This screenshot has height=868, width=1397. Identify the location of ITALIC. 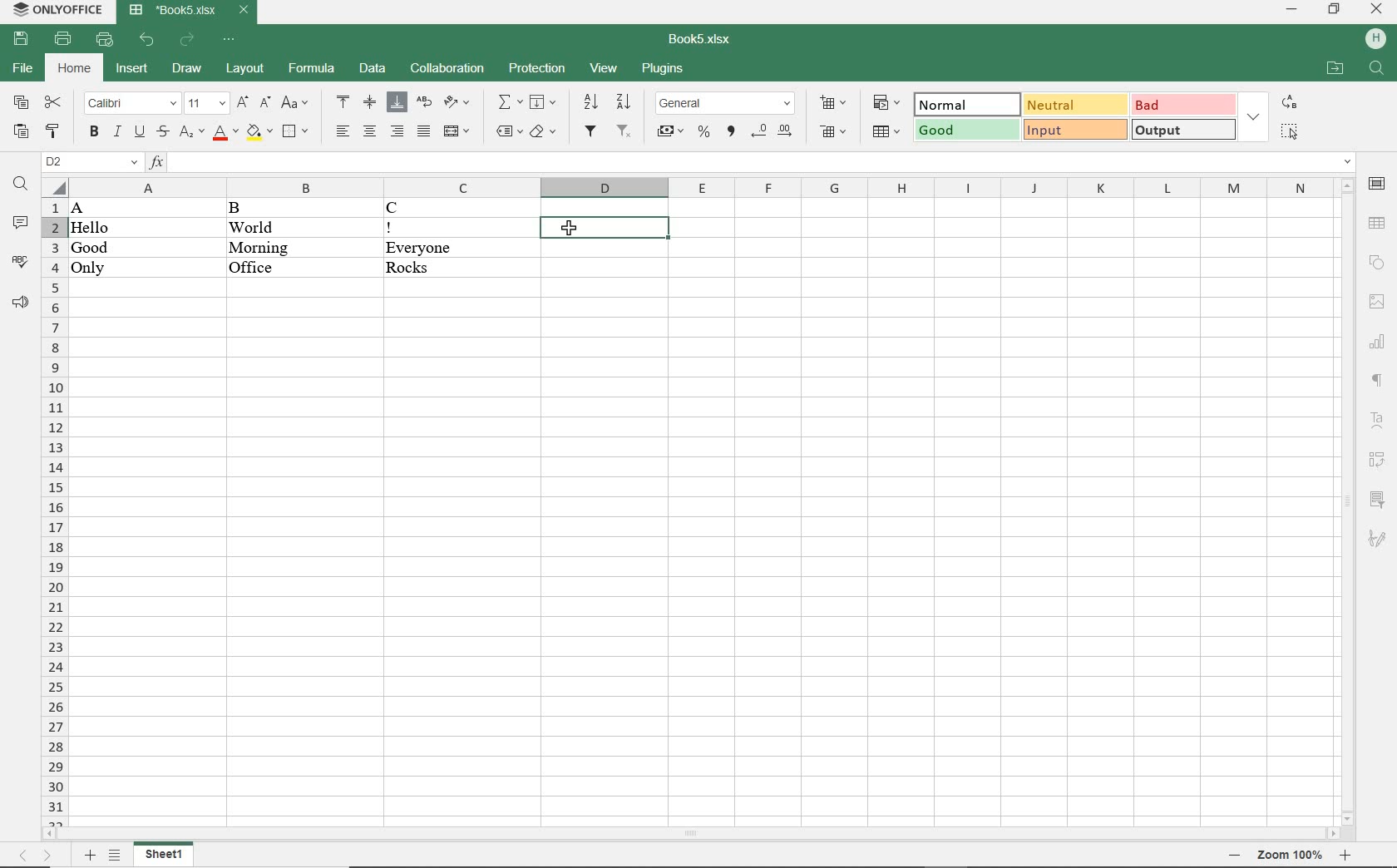
(116, 133).